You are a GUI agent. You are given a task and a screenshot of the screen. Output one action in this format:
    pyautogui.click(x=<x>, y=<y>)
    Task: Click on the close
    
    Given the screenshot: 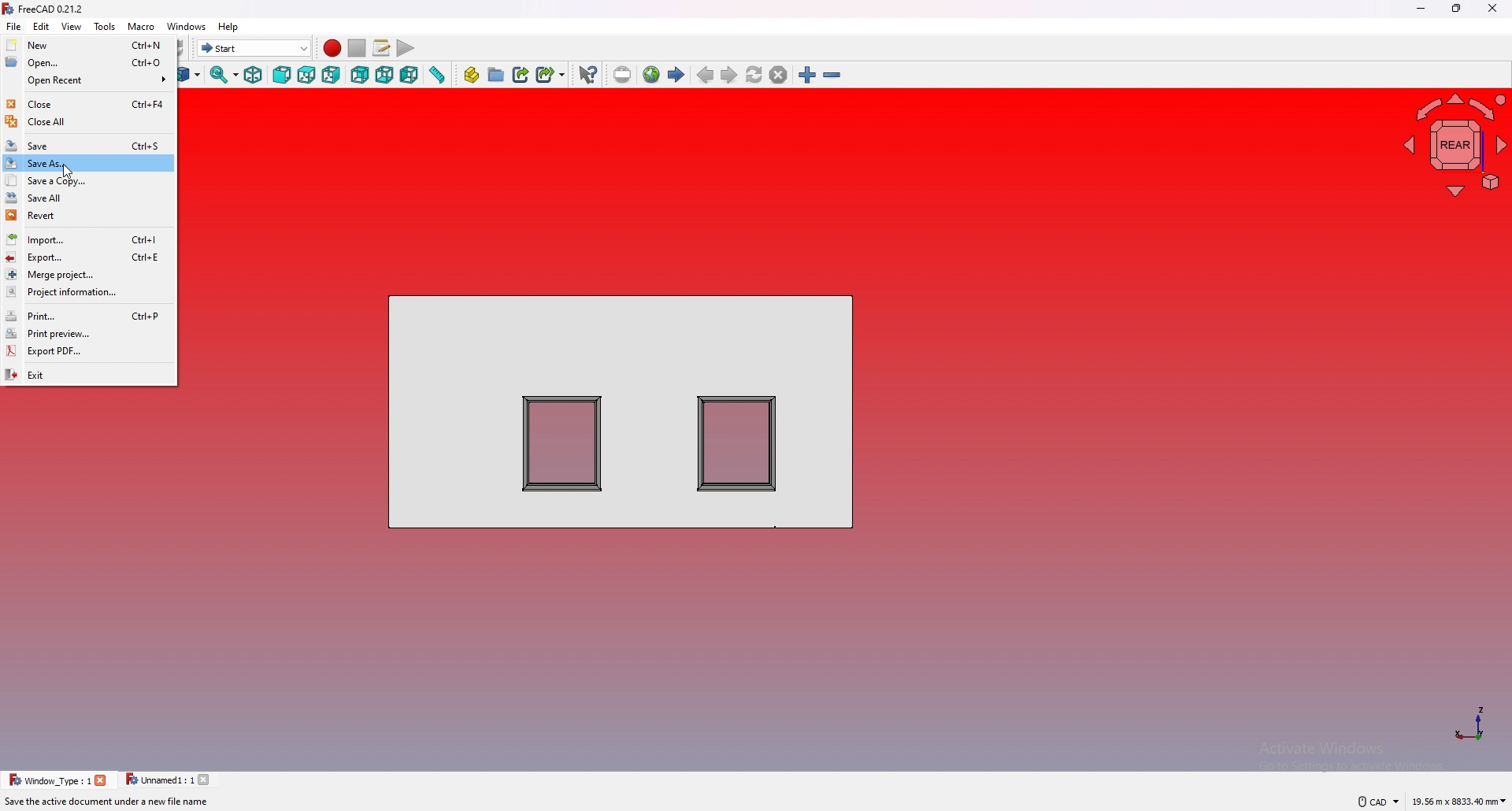 What is the action you would take?
    pyautogui.click(x=102, y=780)
    